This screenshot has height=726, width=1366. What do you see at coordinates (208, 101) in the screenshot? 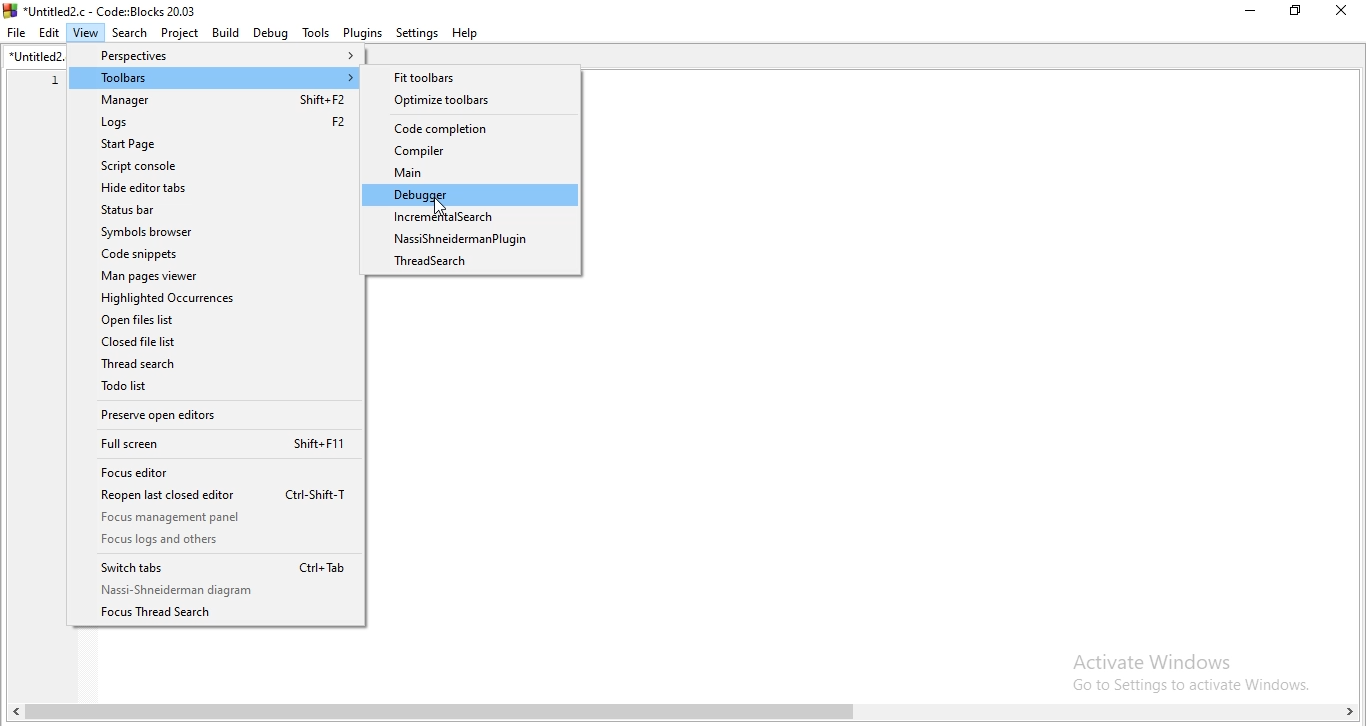
I see `Manager` at bounding box center [208, 101].